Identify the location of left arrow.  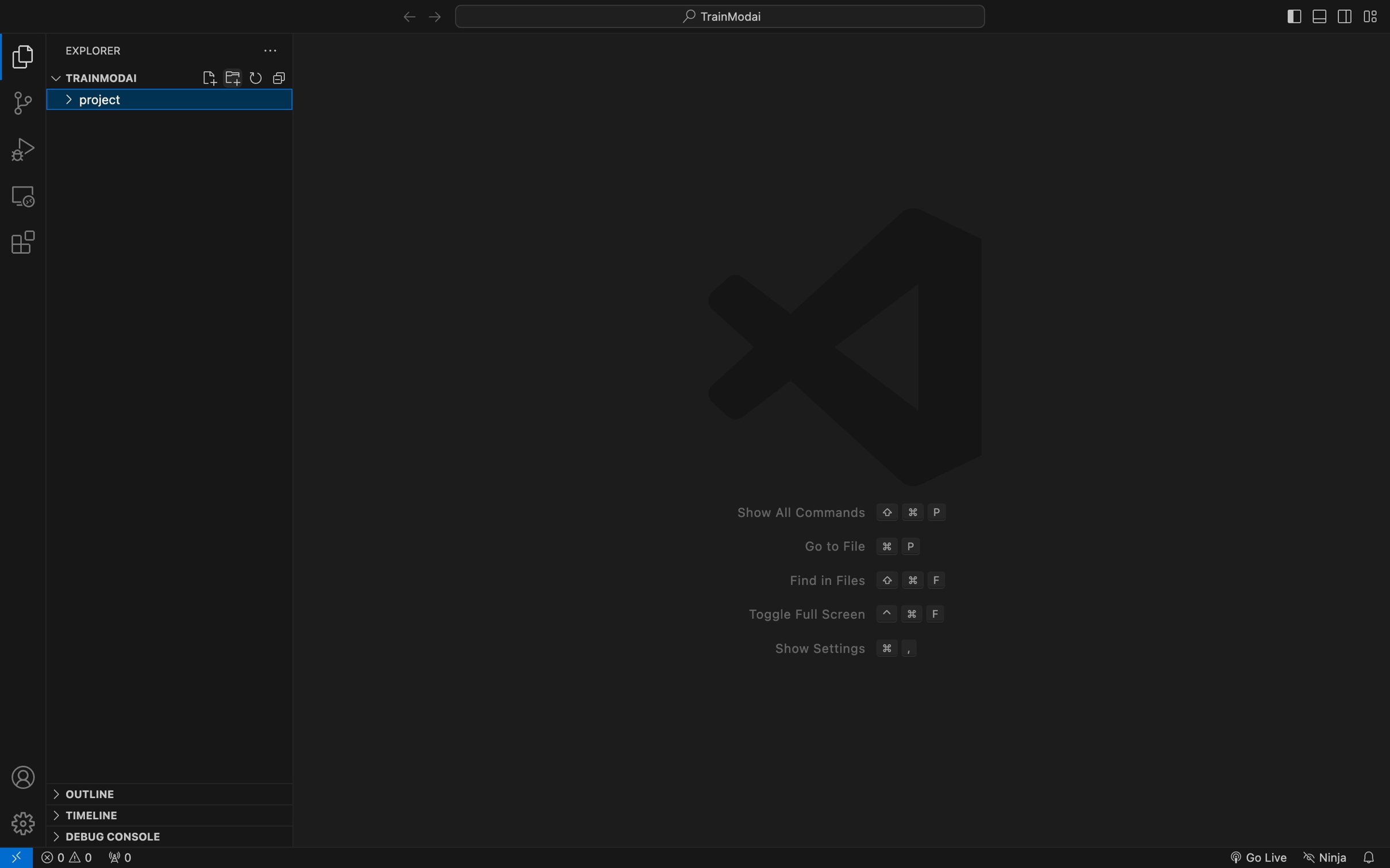
(433, 15).